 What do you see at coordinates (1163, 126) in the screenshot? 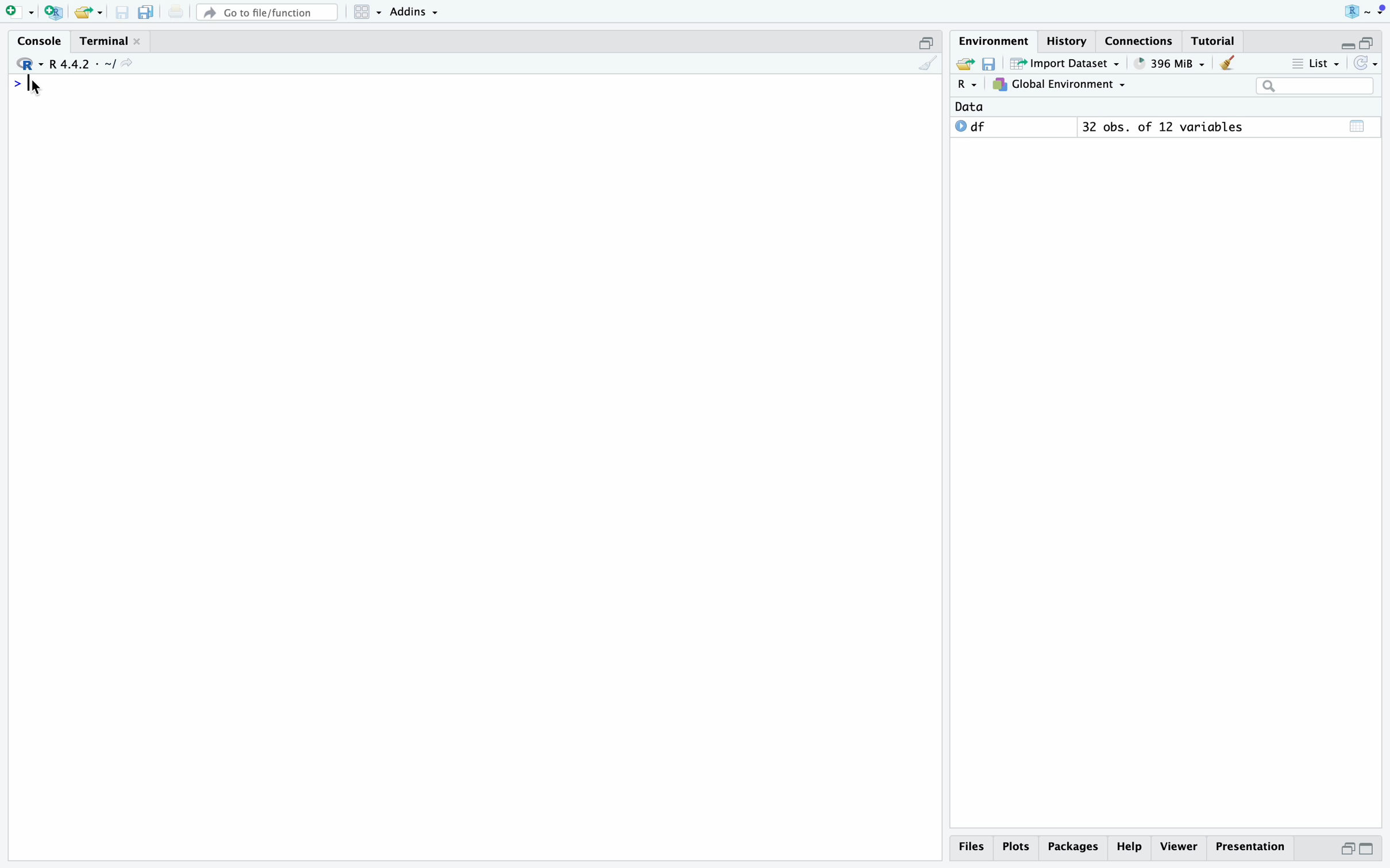
I see `32 obs. of 12 variables` at bounding box center [1163, 126].